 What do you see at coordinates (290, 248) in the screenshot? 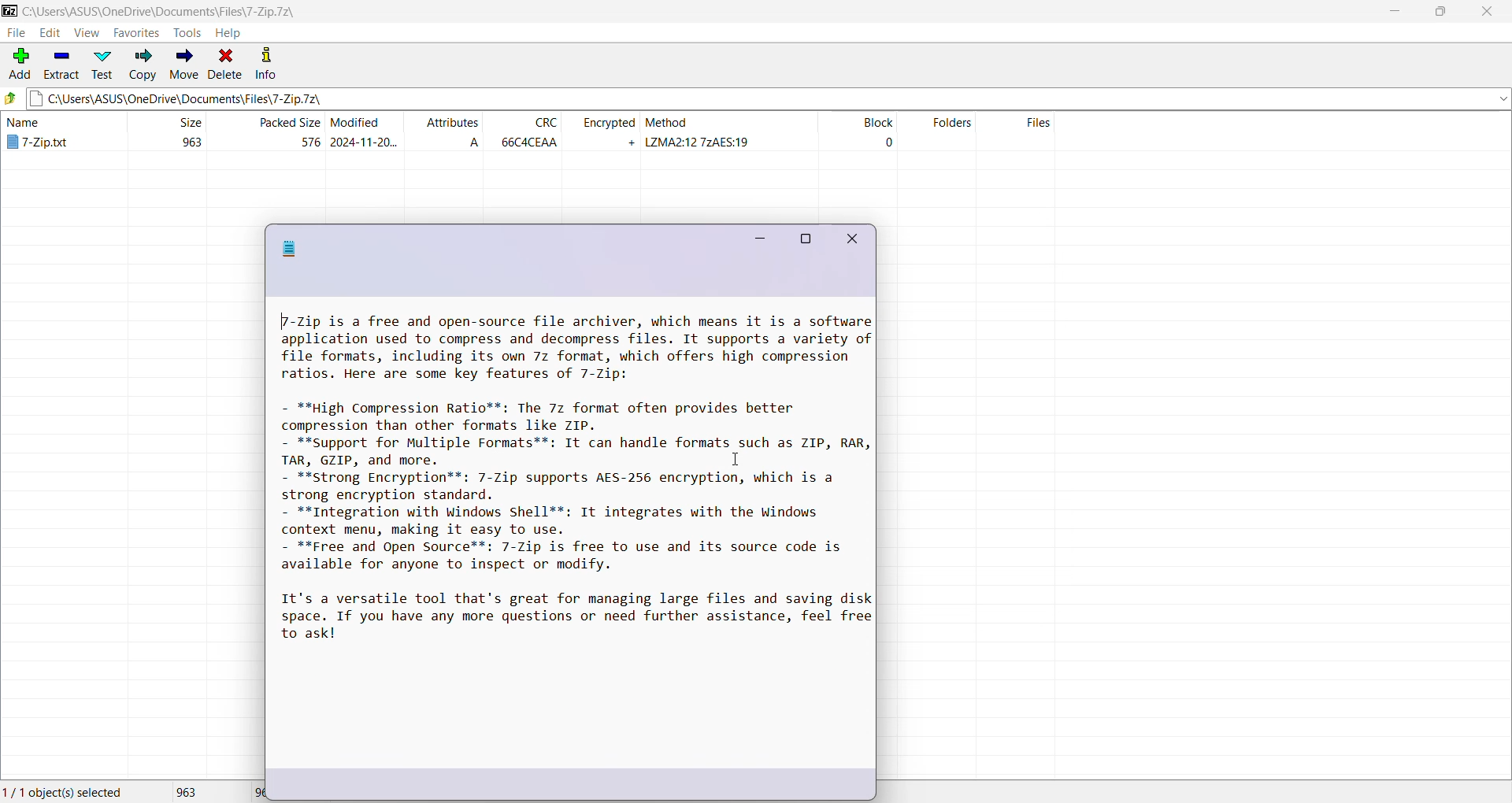
I see `logo` at bounding box center [290, 248].